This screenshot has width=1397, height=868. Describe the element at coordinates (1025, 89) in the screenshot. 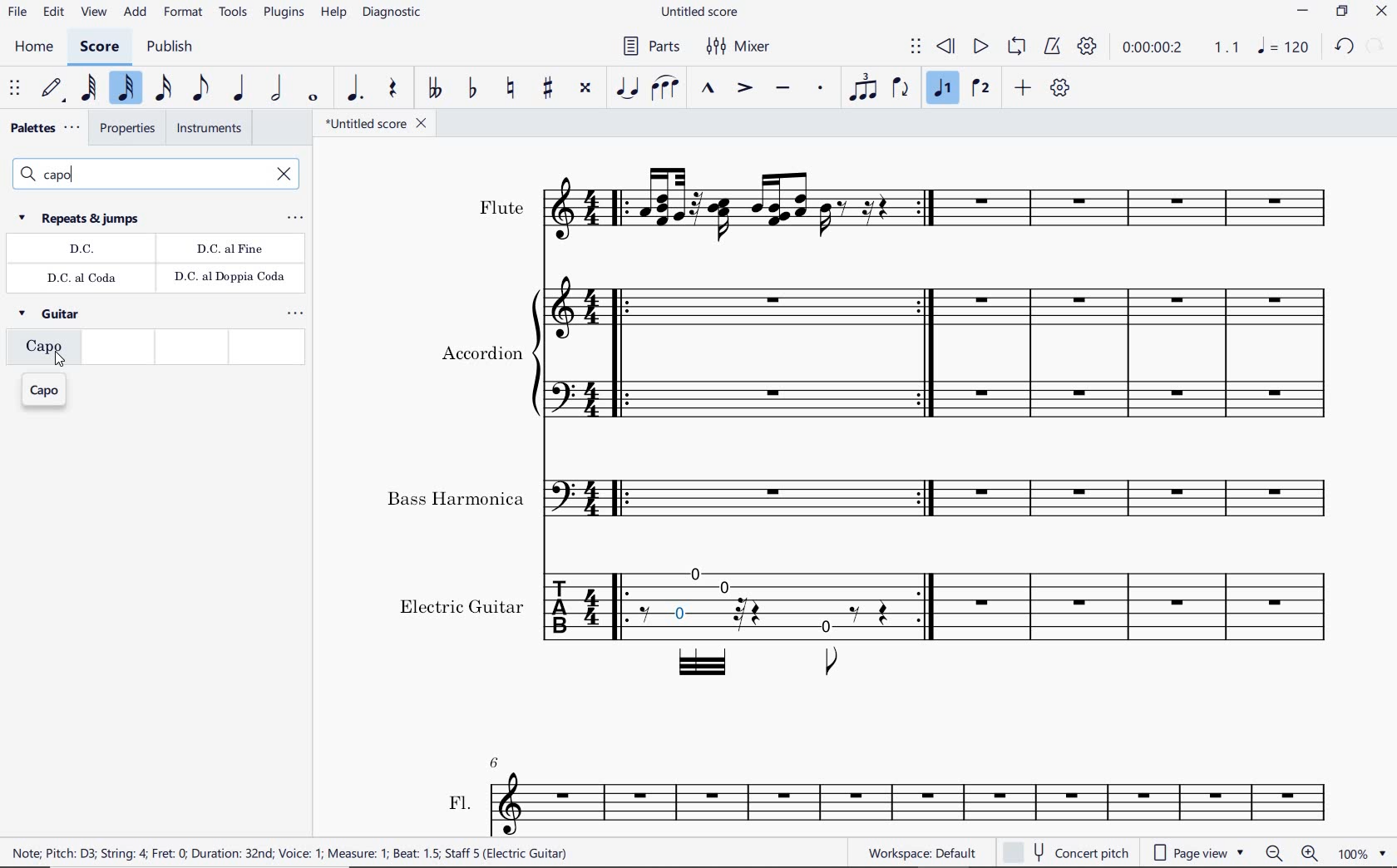

I see `add` at that location.